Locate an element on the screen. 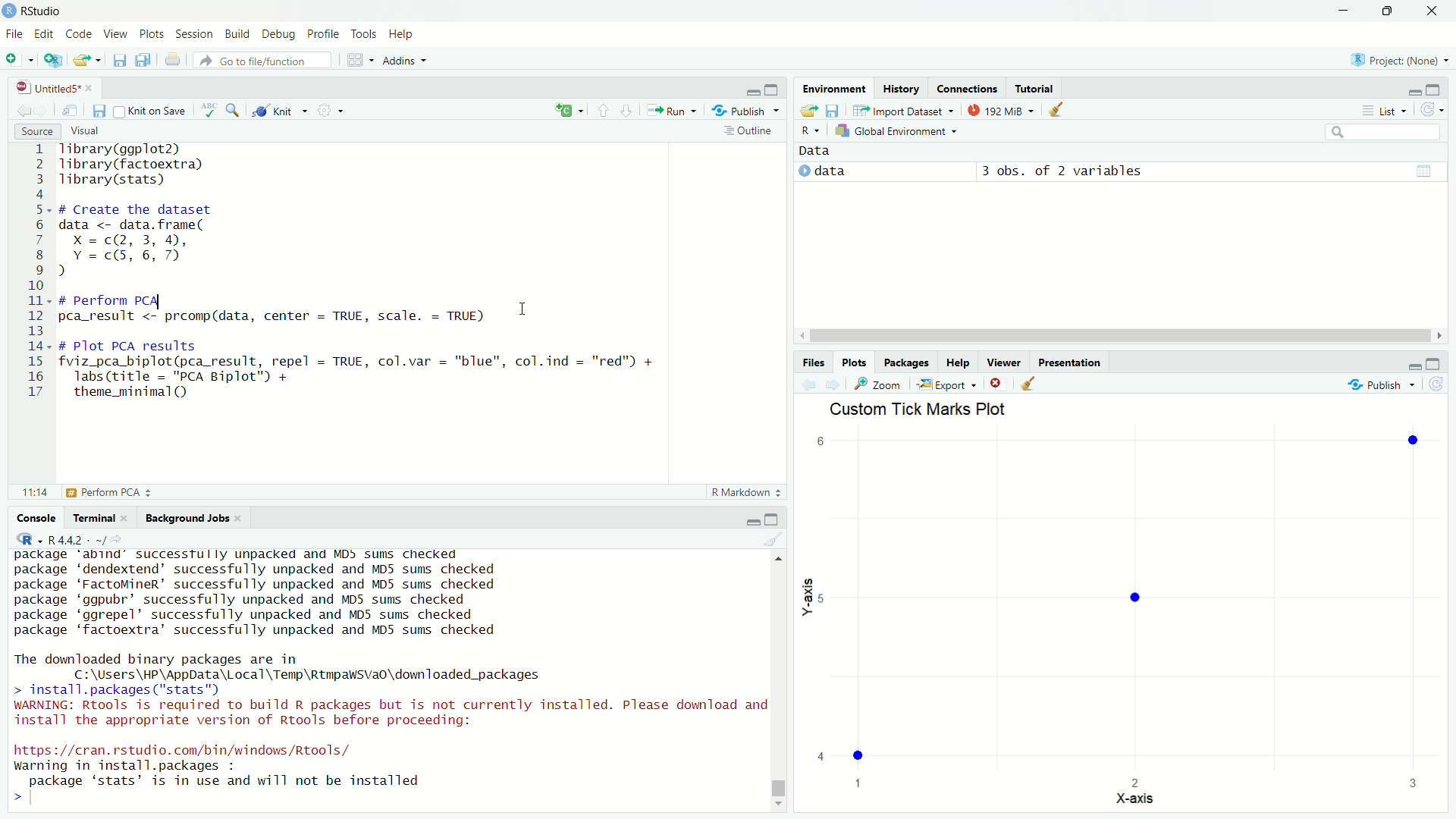  outline is located at coordinates (748, 132).